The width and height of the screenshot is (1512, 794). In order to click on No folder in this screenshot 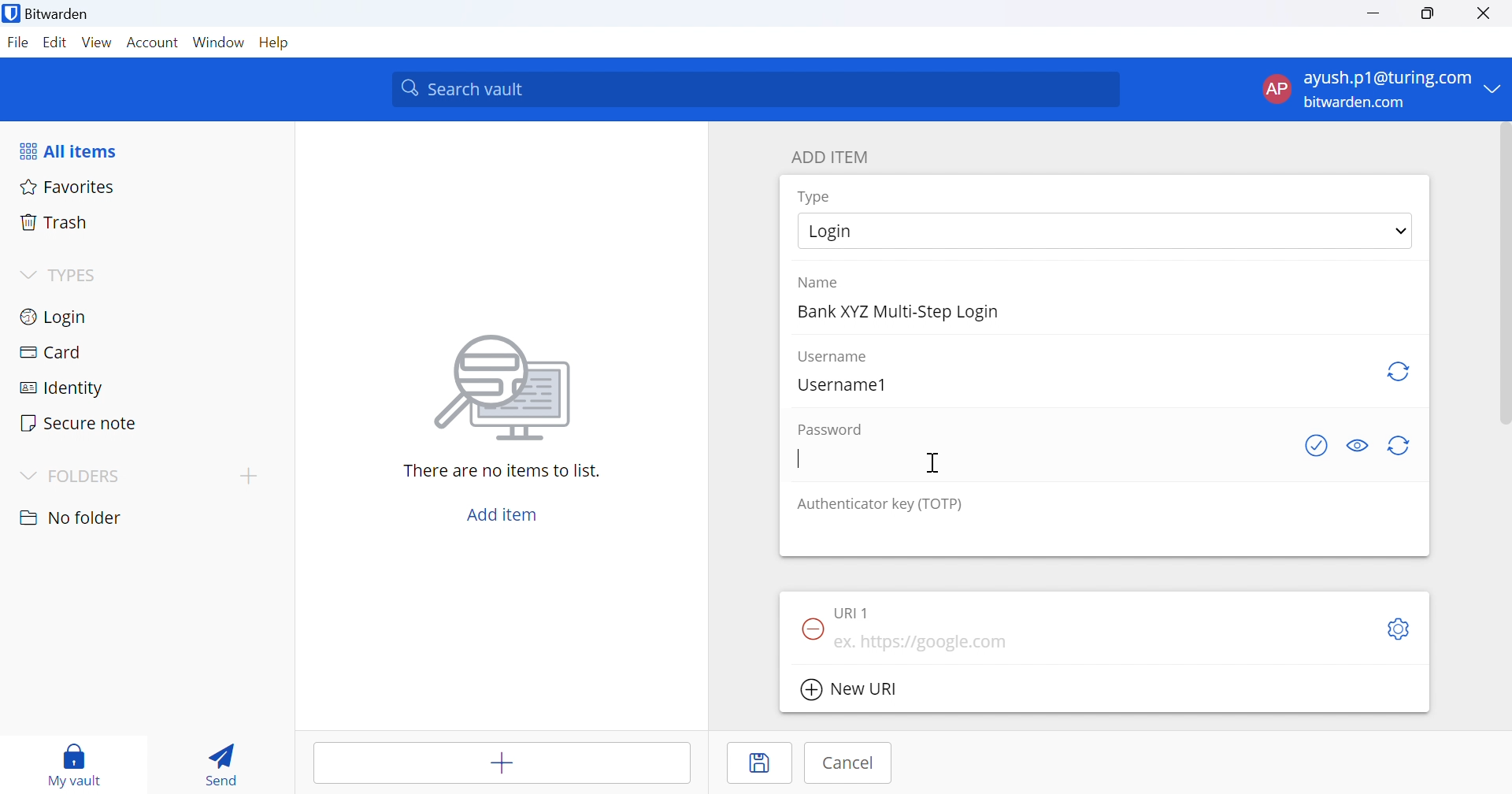, I will do `click(72, 518)`.